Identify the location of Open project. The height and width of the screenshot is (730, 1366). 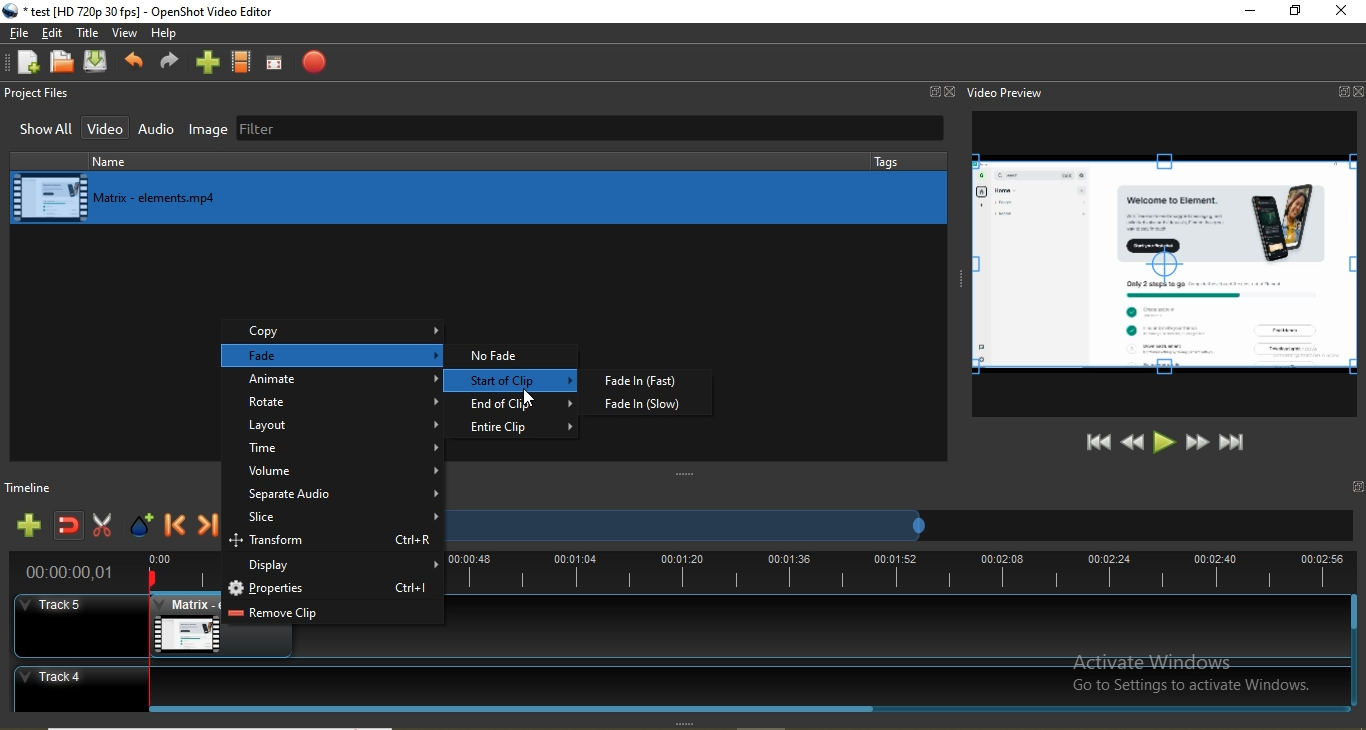
(63, 61).